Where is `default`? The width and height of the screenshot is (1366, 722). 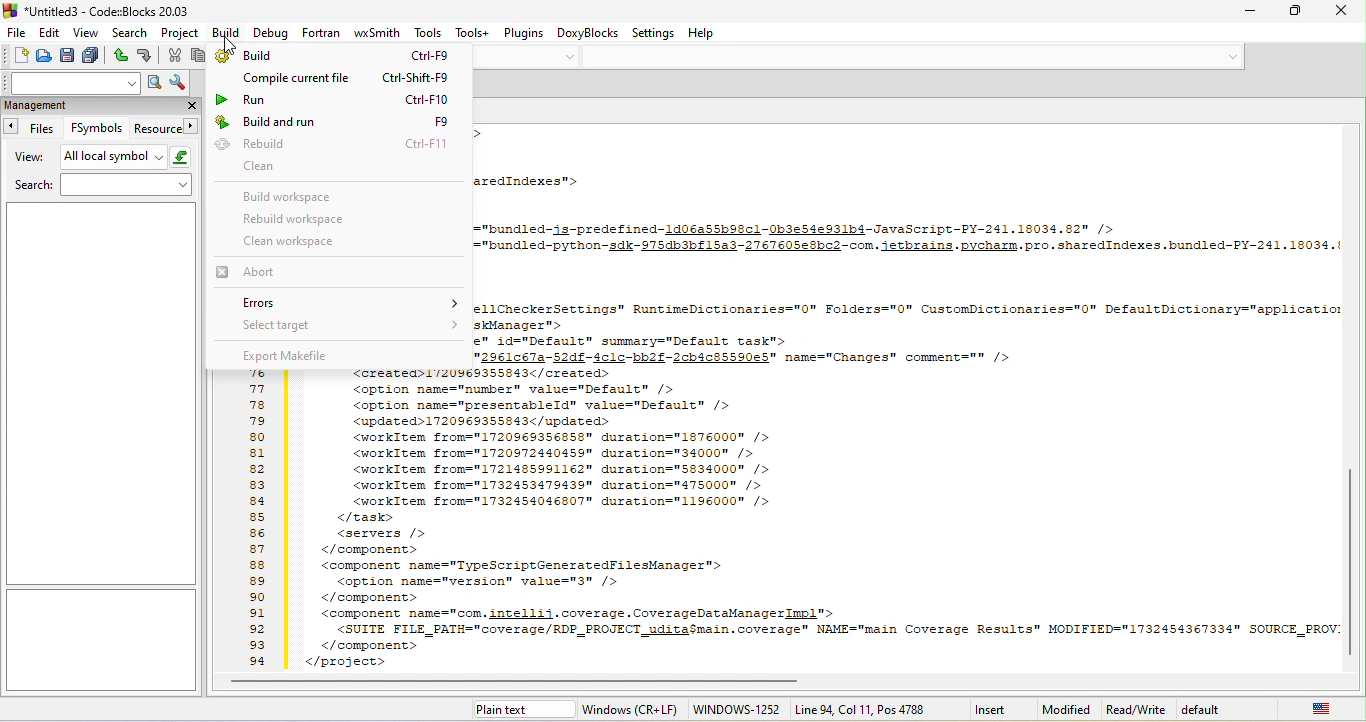 default is located at coordinates (1229, 709).